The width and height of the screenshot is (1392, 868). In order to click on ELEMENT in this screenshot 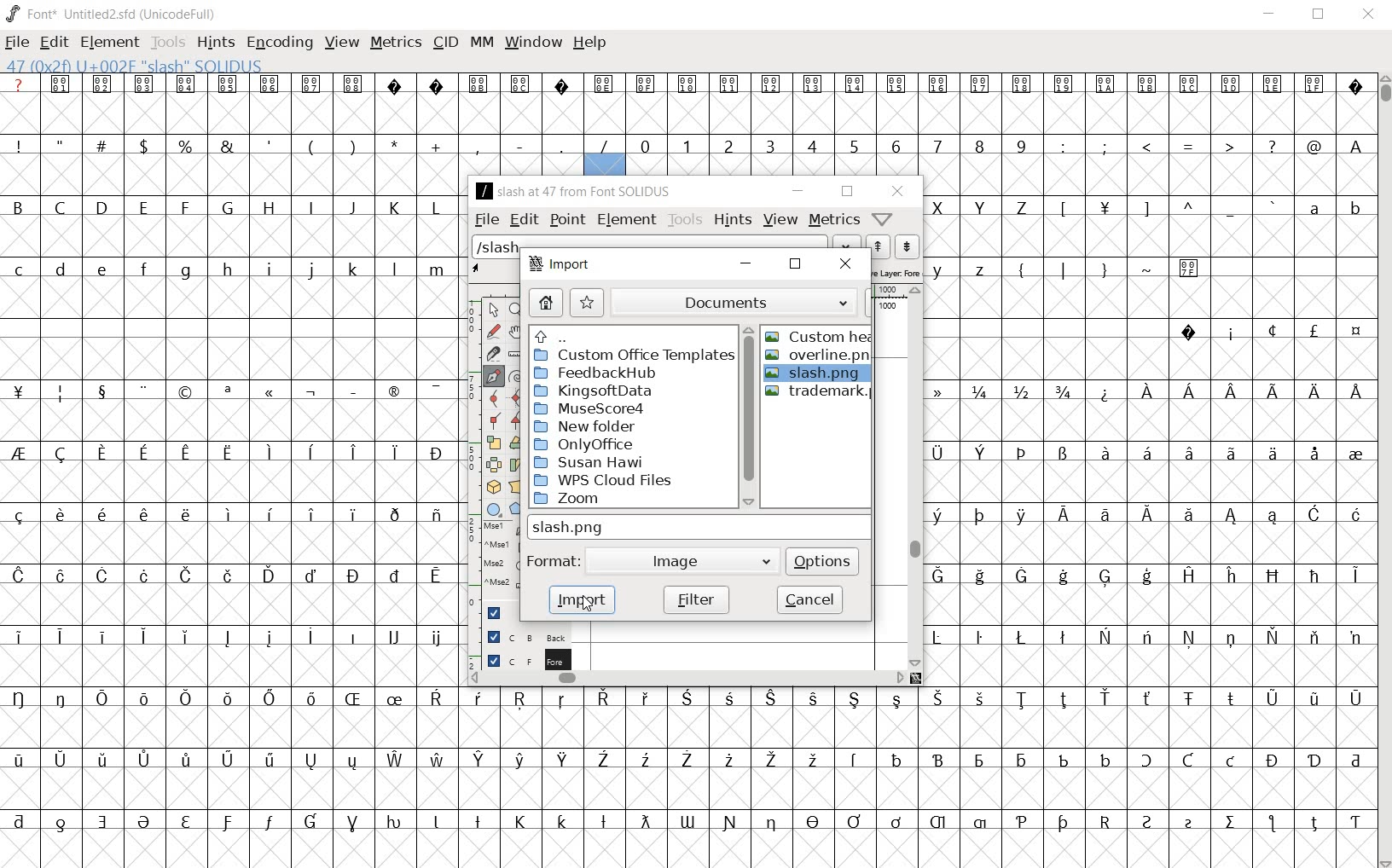, I will do `click(109, 43)`.